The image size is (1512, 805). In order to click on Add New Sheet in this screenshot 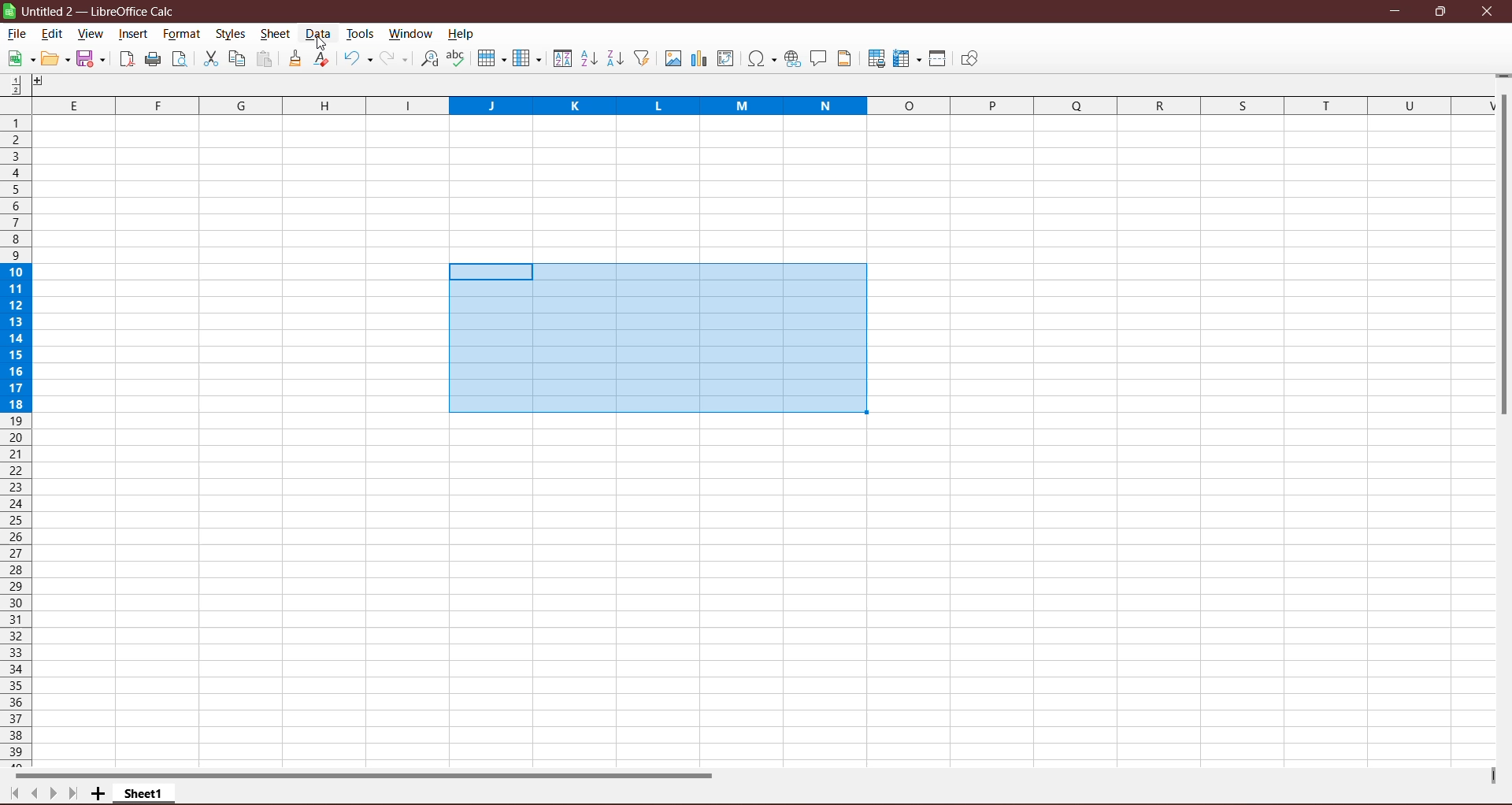, I will do `click(98, 794)`.